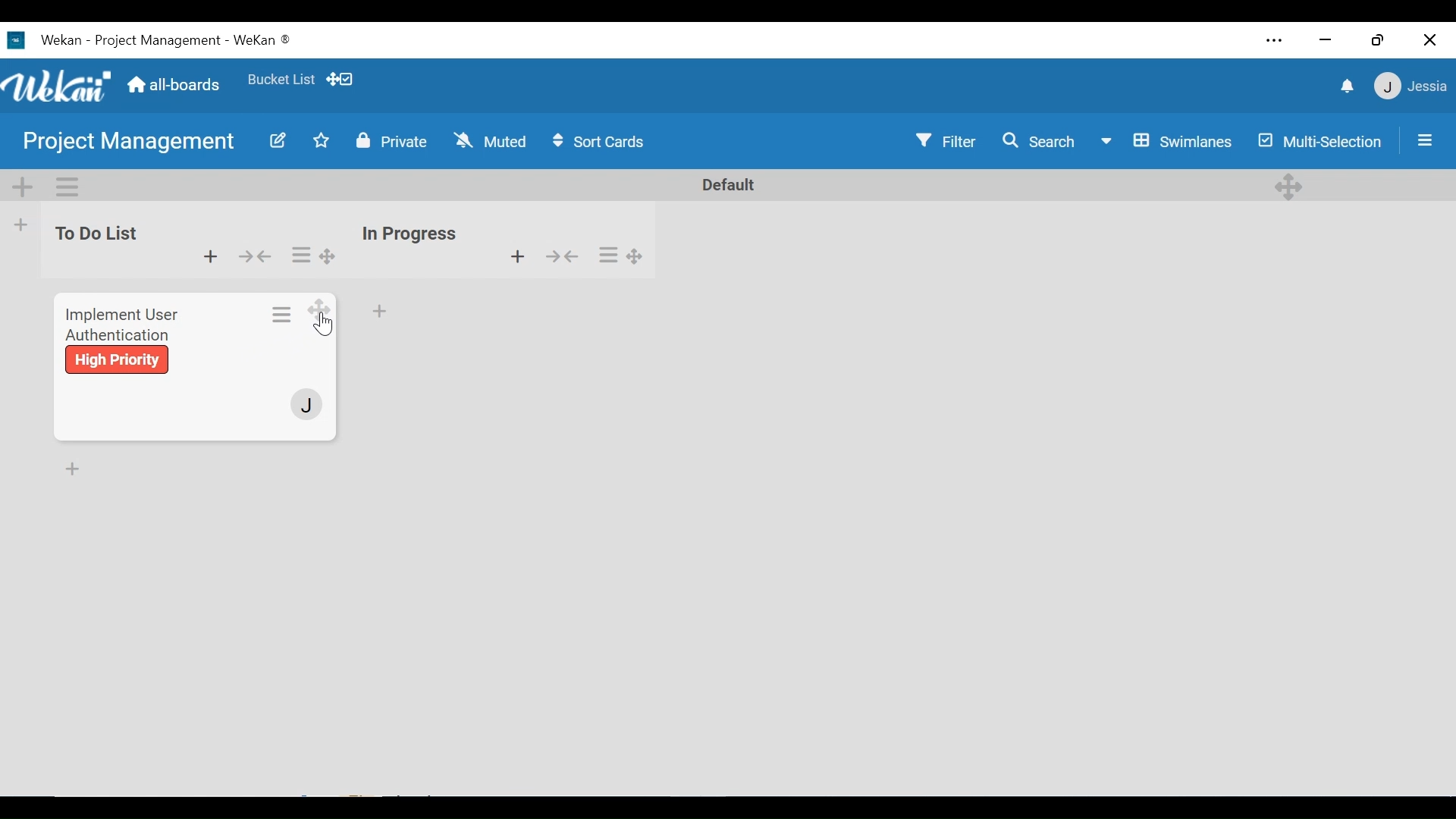  Describe the element at coordinates (1170, 143) in the screenshot. I see ` Swimlanes` at that location.